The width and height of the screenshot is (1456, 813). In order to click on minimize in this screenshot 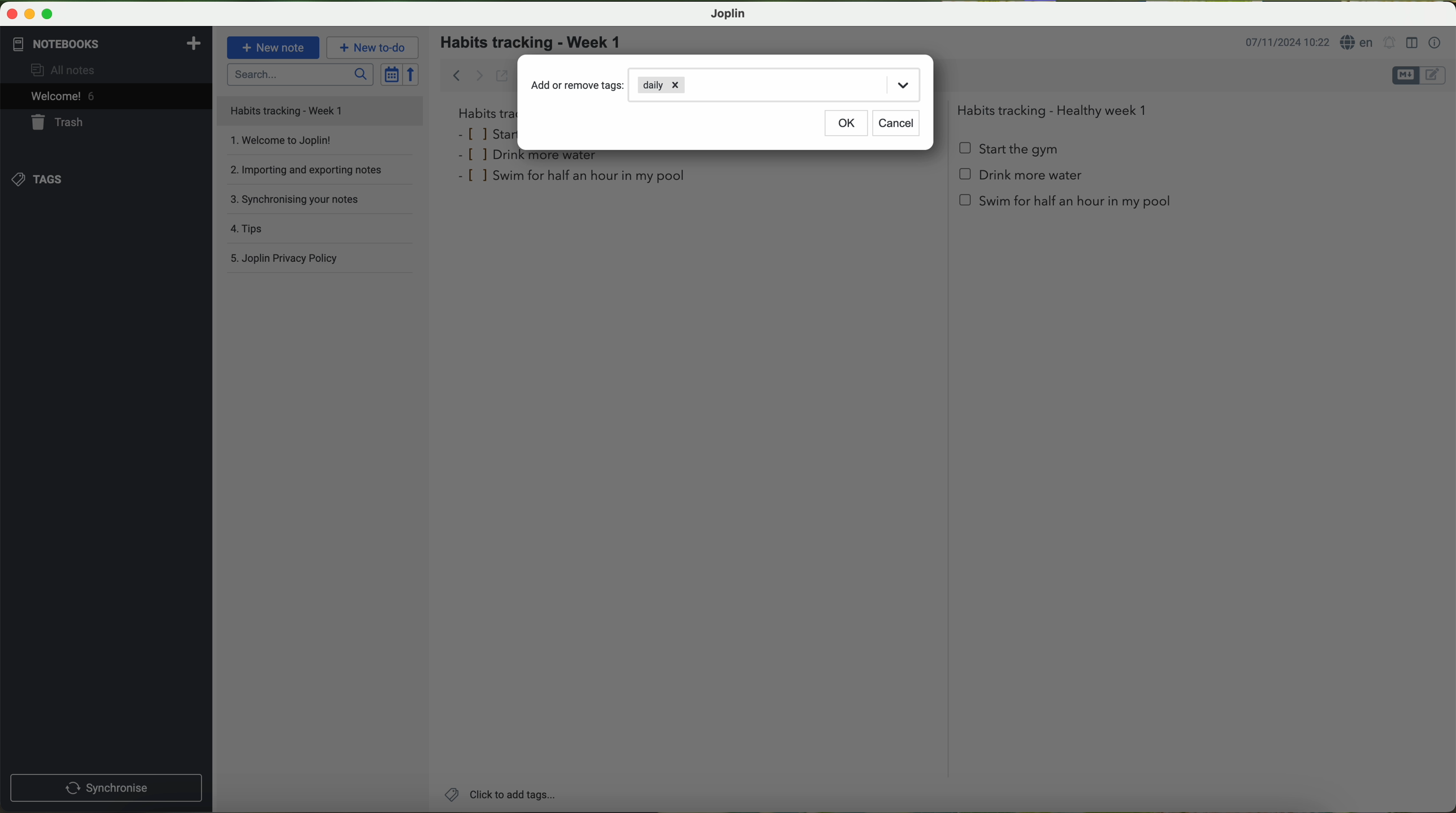, I will do `click(27, 13)`.